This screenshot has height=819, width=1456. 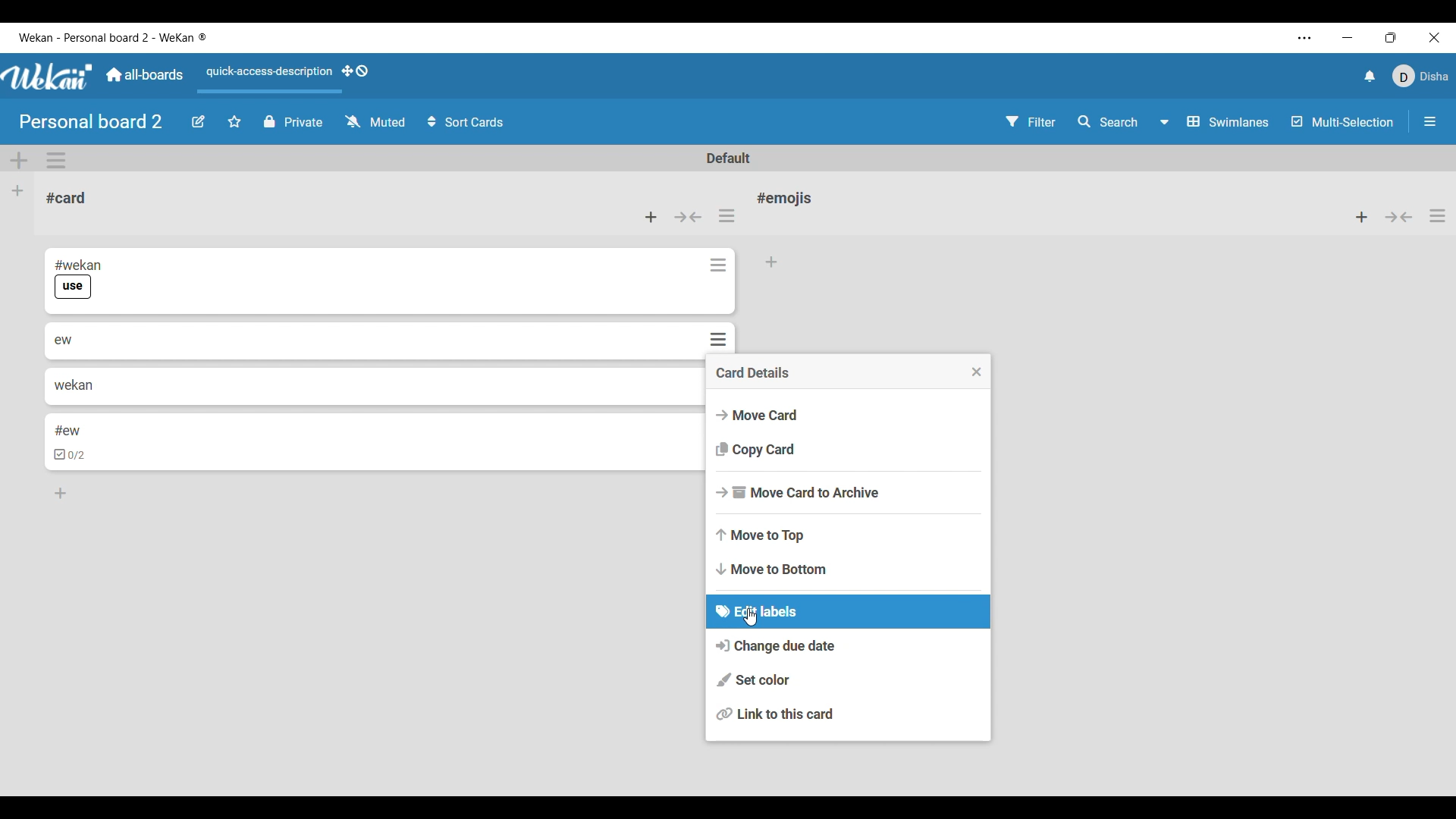 What do you see at coordinates (111, 37) in the screenshot?
I see `Software and board name` at bounding box center [111, 37].